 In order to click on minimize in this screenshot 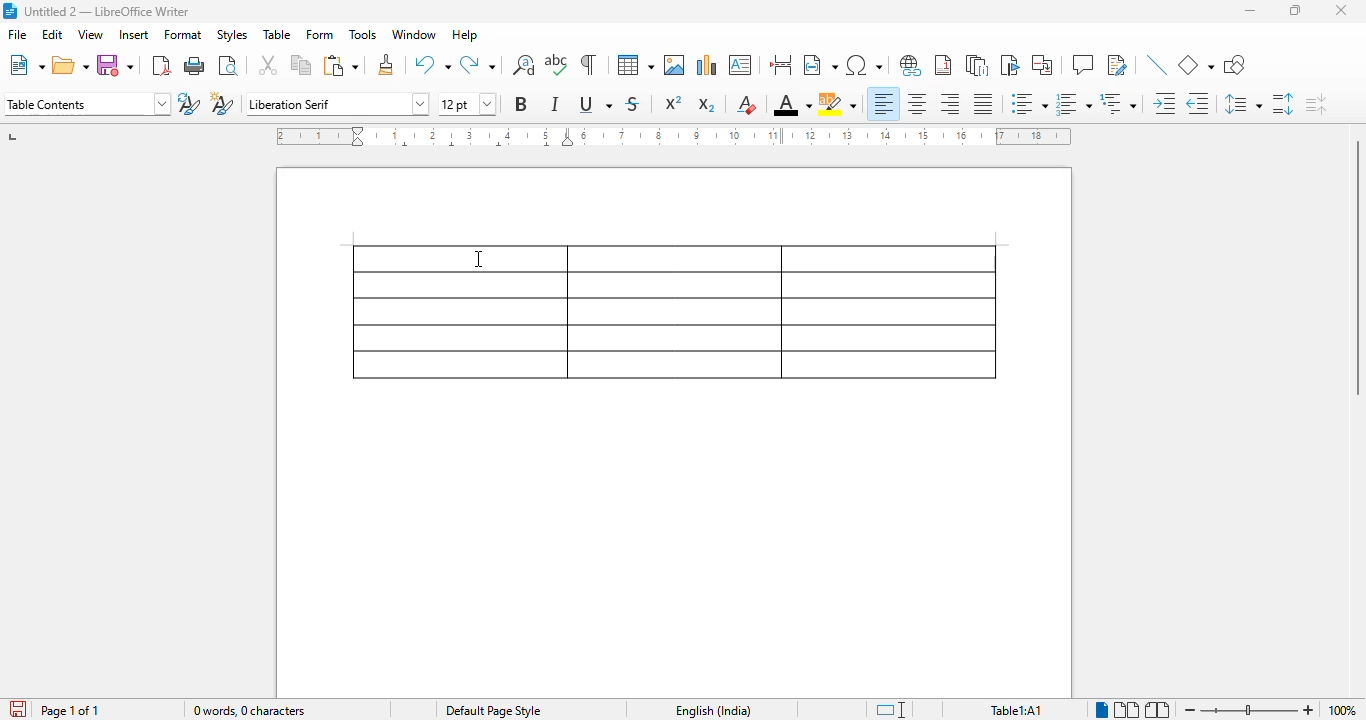, I will do `click(1250, 11)`.